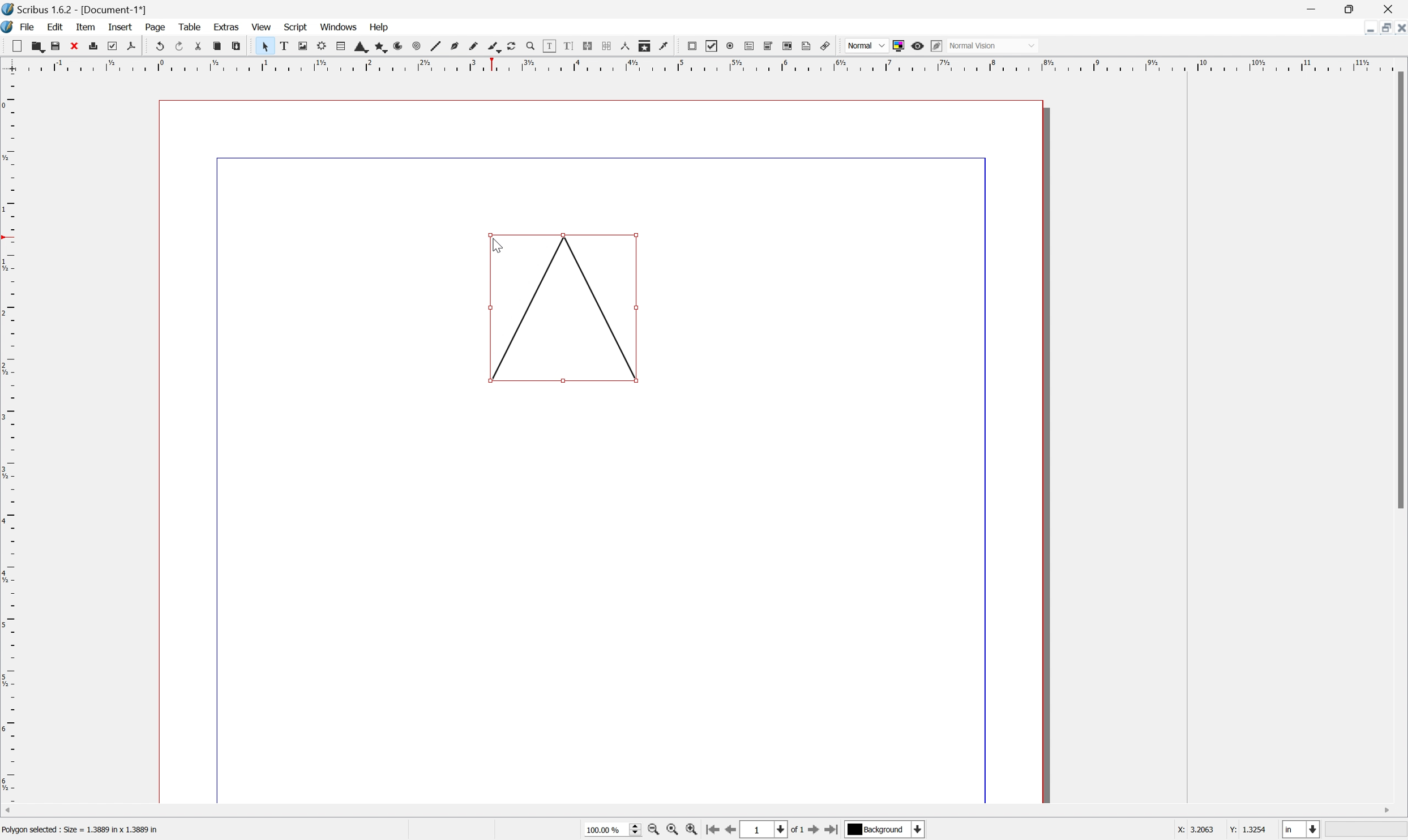 The image size is (1408, 840). What do you see at coordinates (1384, 811) in the screenshot?
I see `Scroll Right` at bounding box center [1384, 811].